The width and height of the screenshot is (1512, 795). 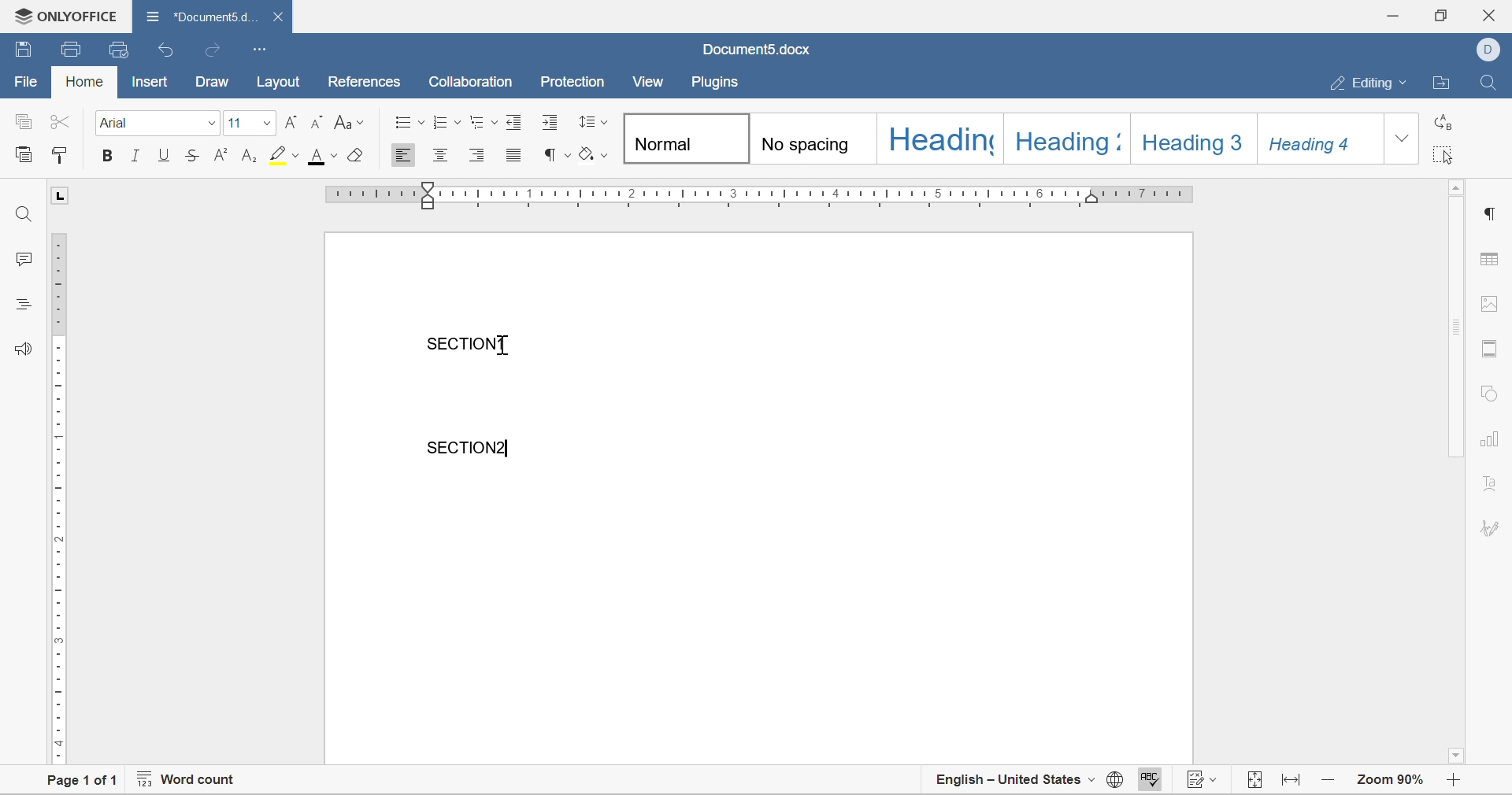 What do you see at coordinates (1001, 137) in the screenshot?
I see `types of headings` at bounding box center [1001, 137].